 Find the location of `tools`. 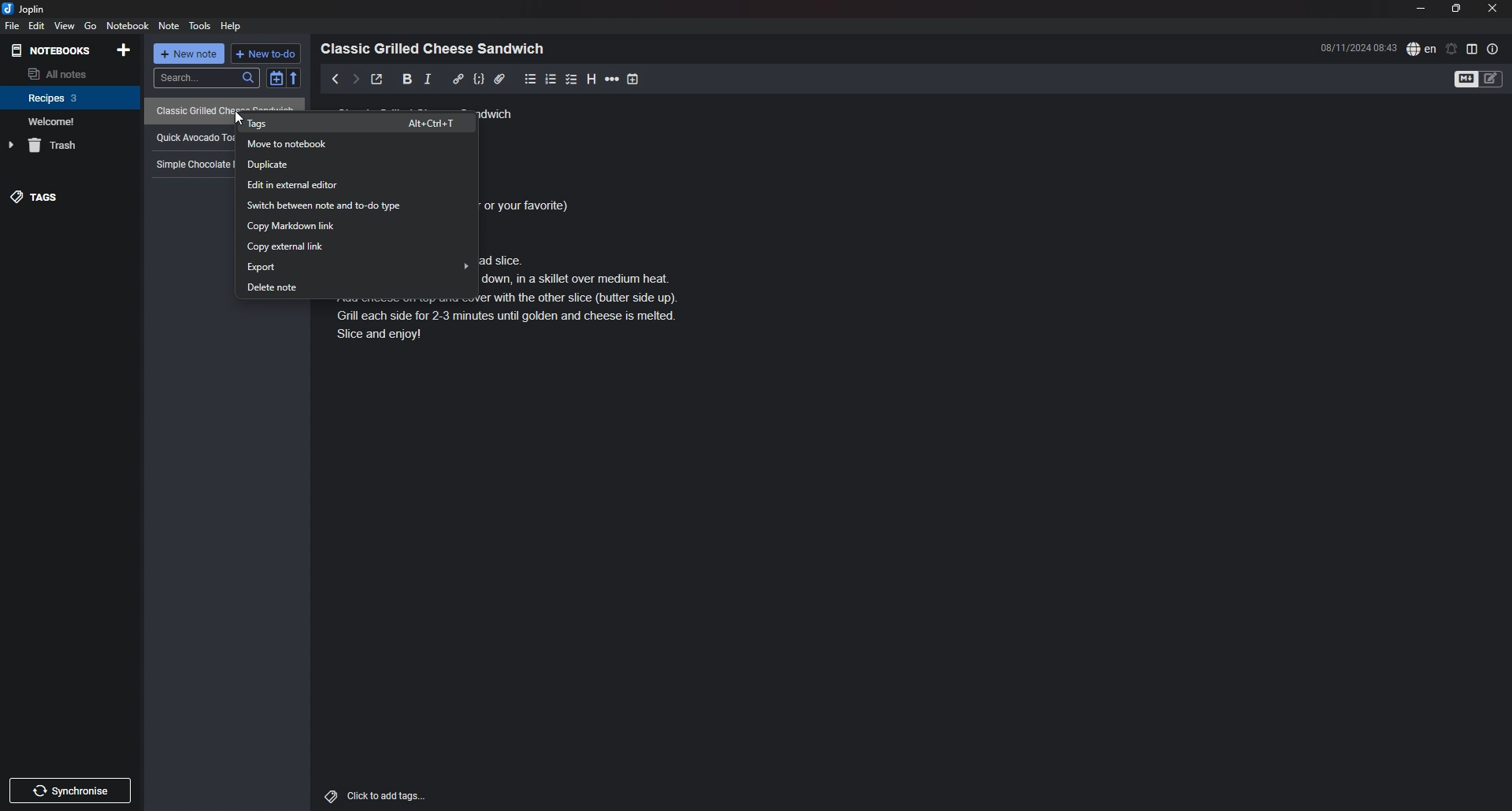

tools is located at coordinates (200, 25).